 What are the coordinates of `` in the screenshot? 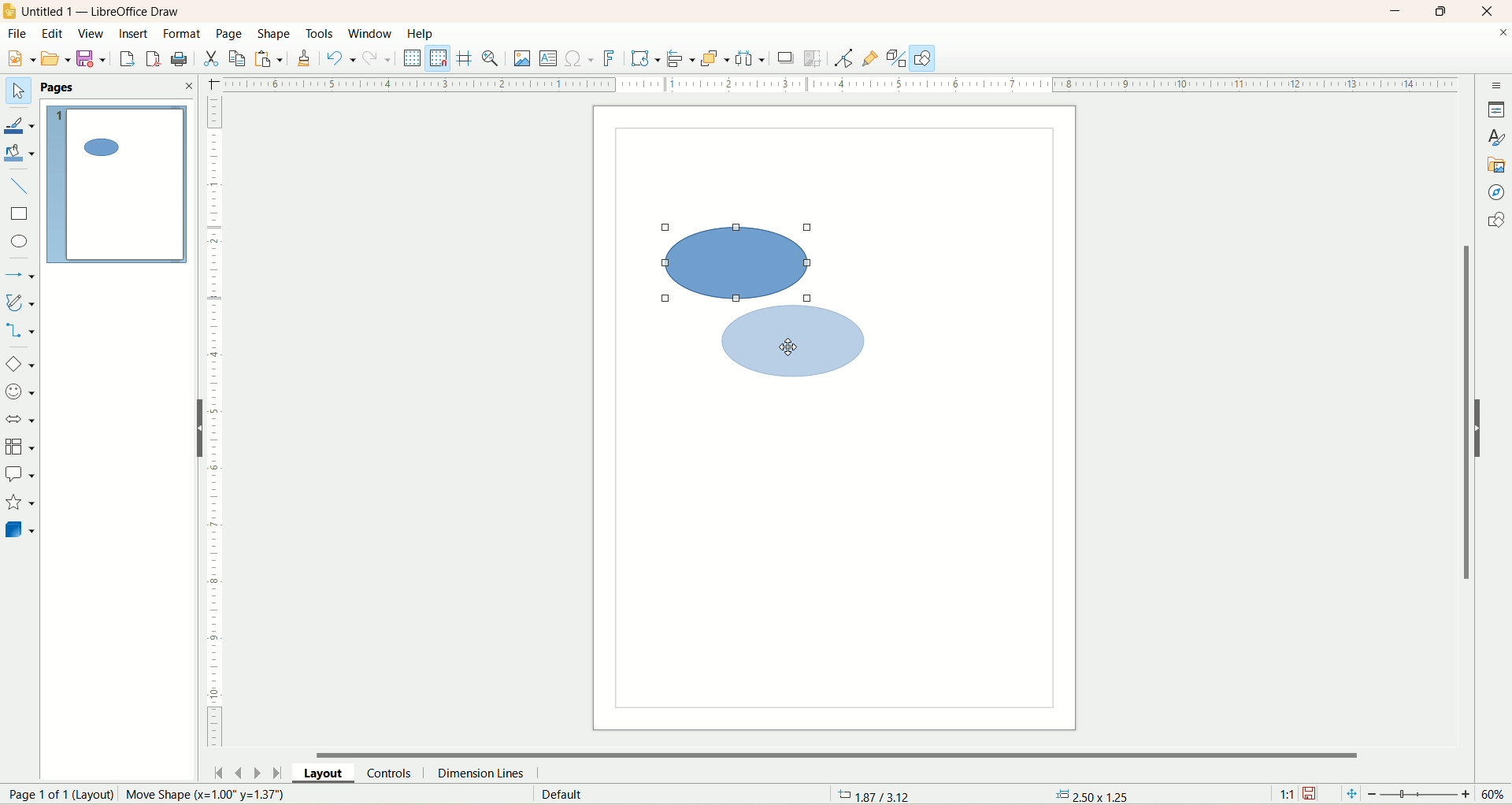 It's located at (522, 58).